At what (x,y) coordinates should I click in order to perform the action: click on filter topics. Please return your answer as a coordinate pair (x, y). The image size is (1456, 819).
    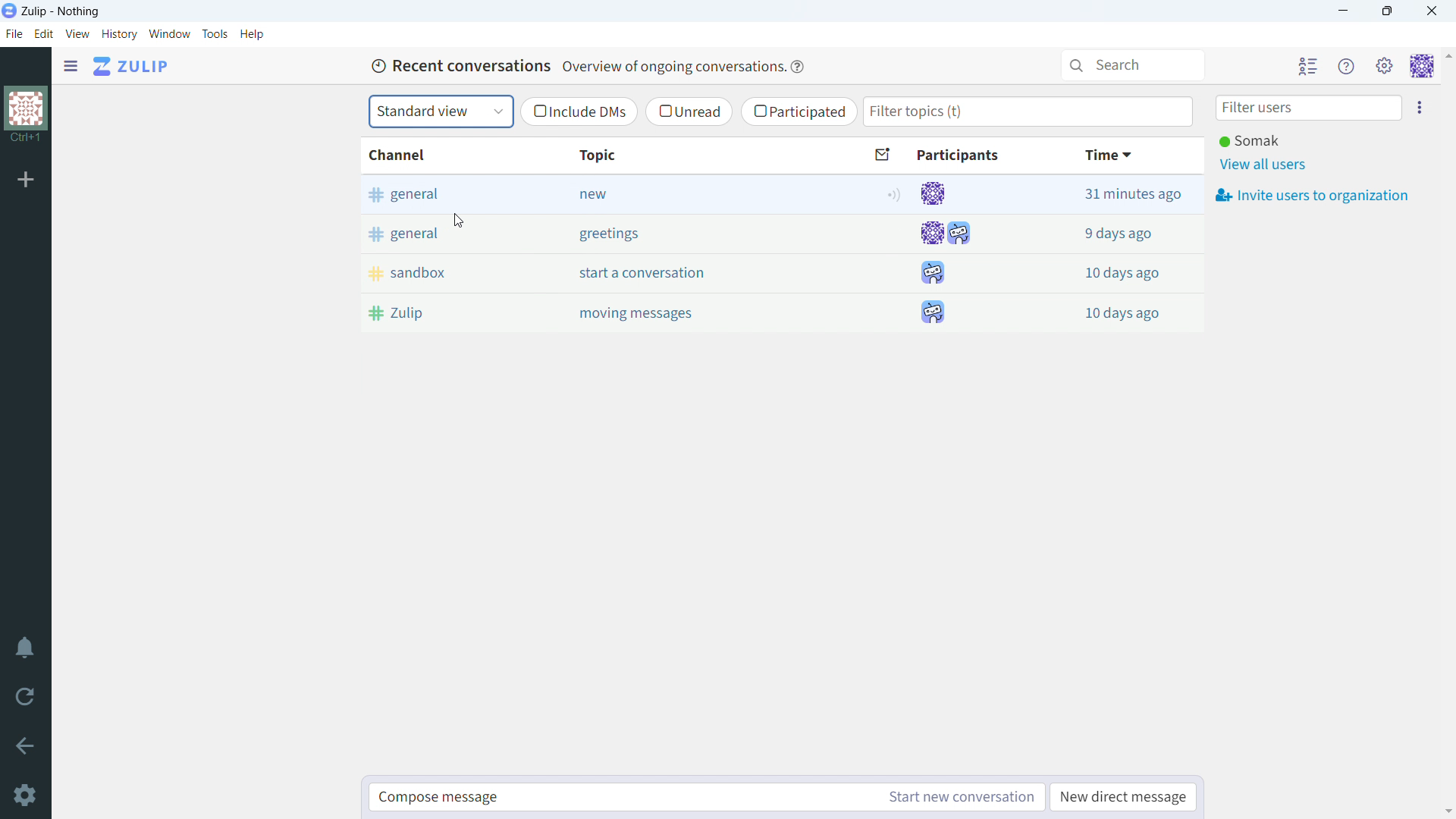
    Looking at the image, I should click on (1028, 111).